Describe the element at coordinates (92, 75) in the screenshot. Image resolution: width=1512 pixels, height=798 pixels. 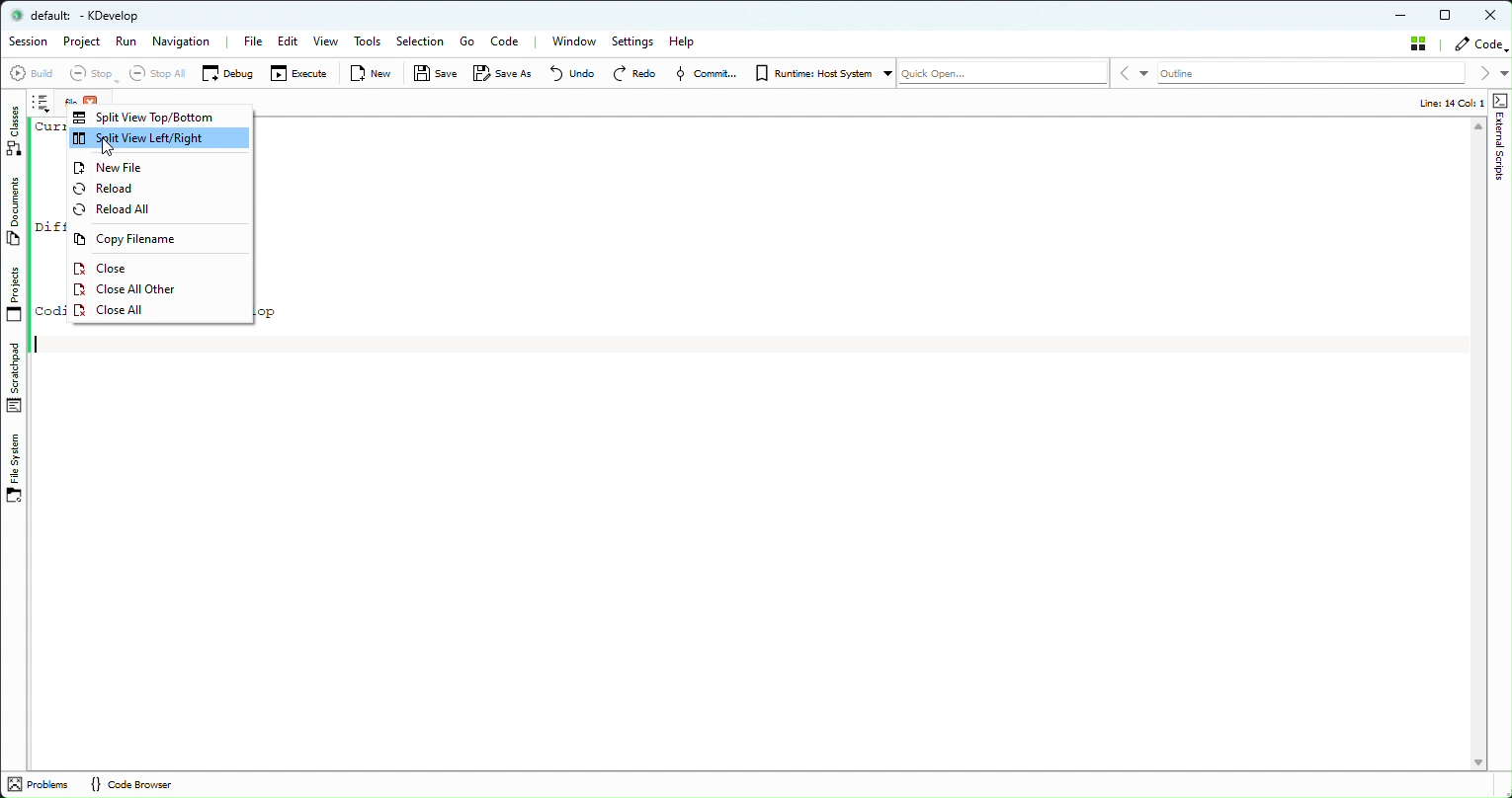
I see `Stop` at that location.